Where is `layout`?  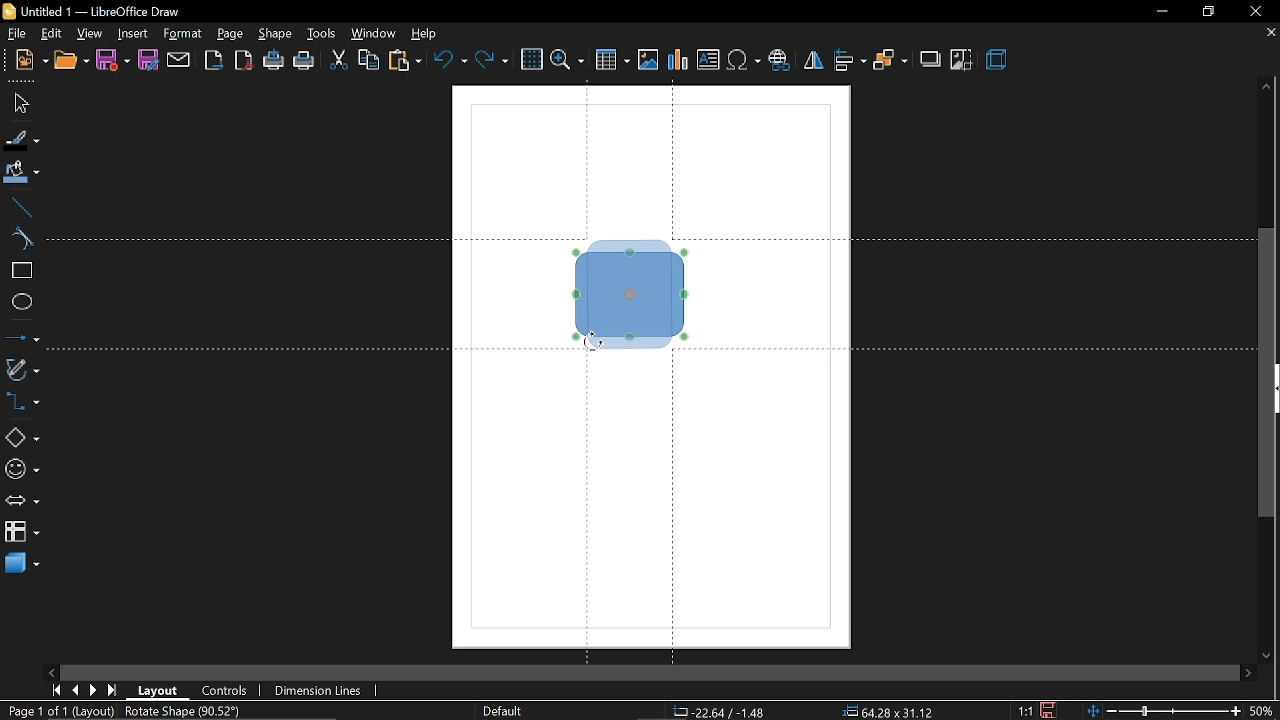 layout is located at coordinates (158, 689).